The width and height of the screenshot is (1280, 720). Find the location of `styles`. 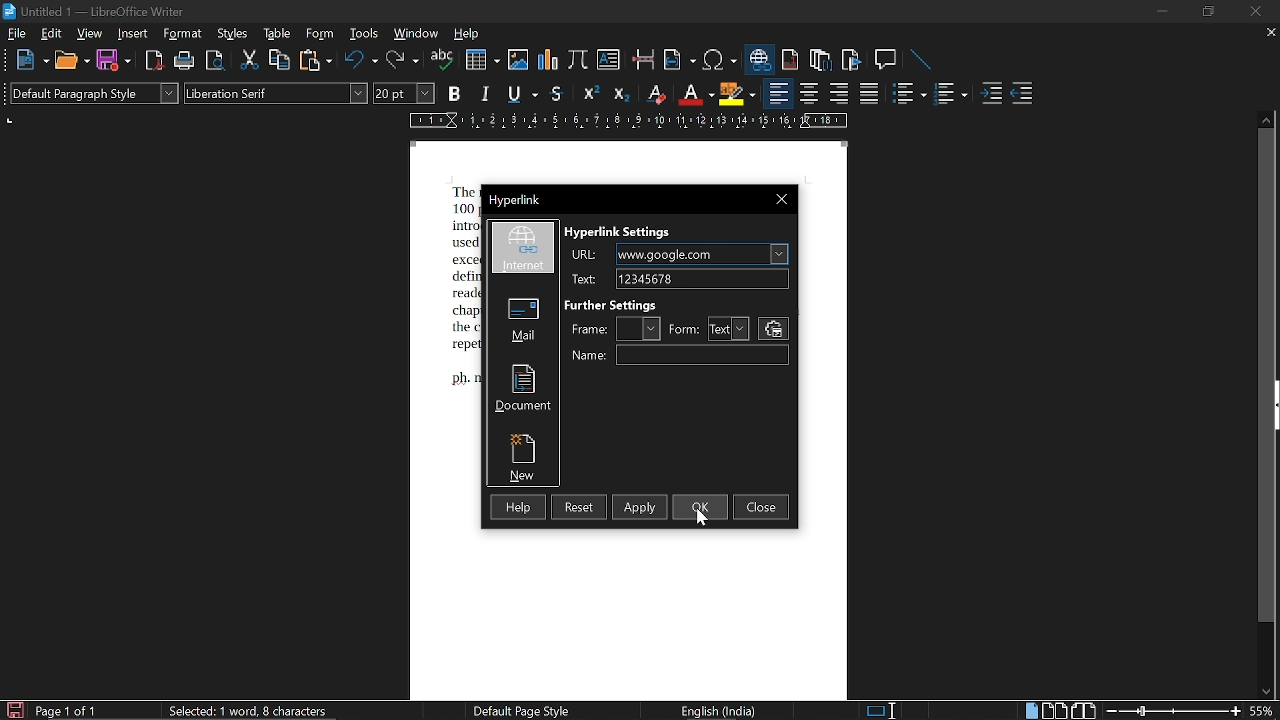

styles is located at coordinates (234, 34).